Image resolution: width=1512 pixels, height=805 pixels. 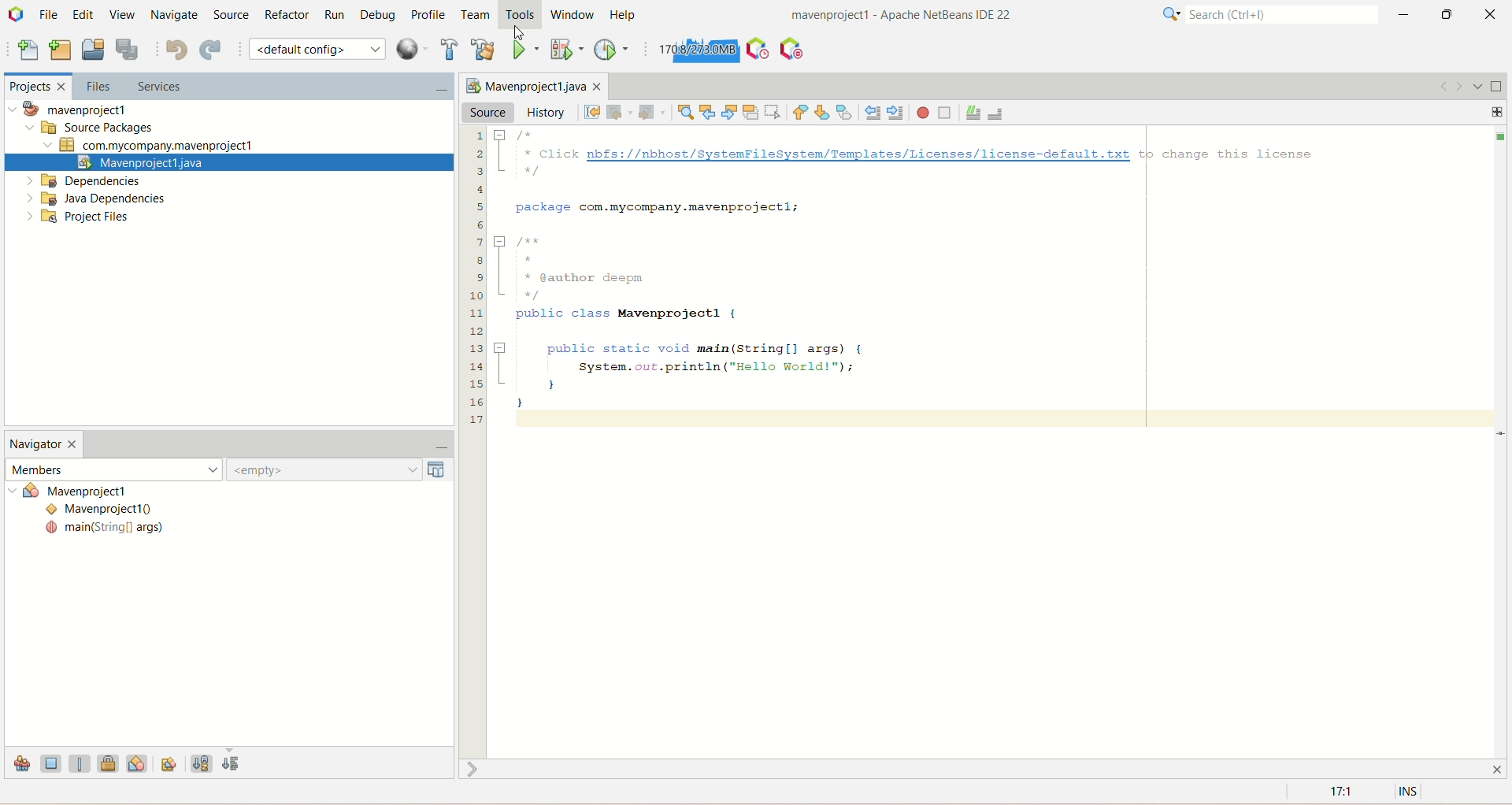 I want to click on 17:1, so click(x=1339, y=792).